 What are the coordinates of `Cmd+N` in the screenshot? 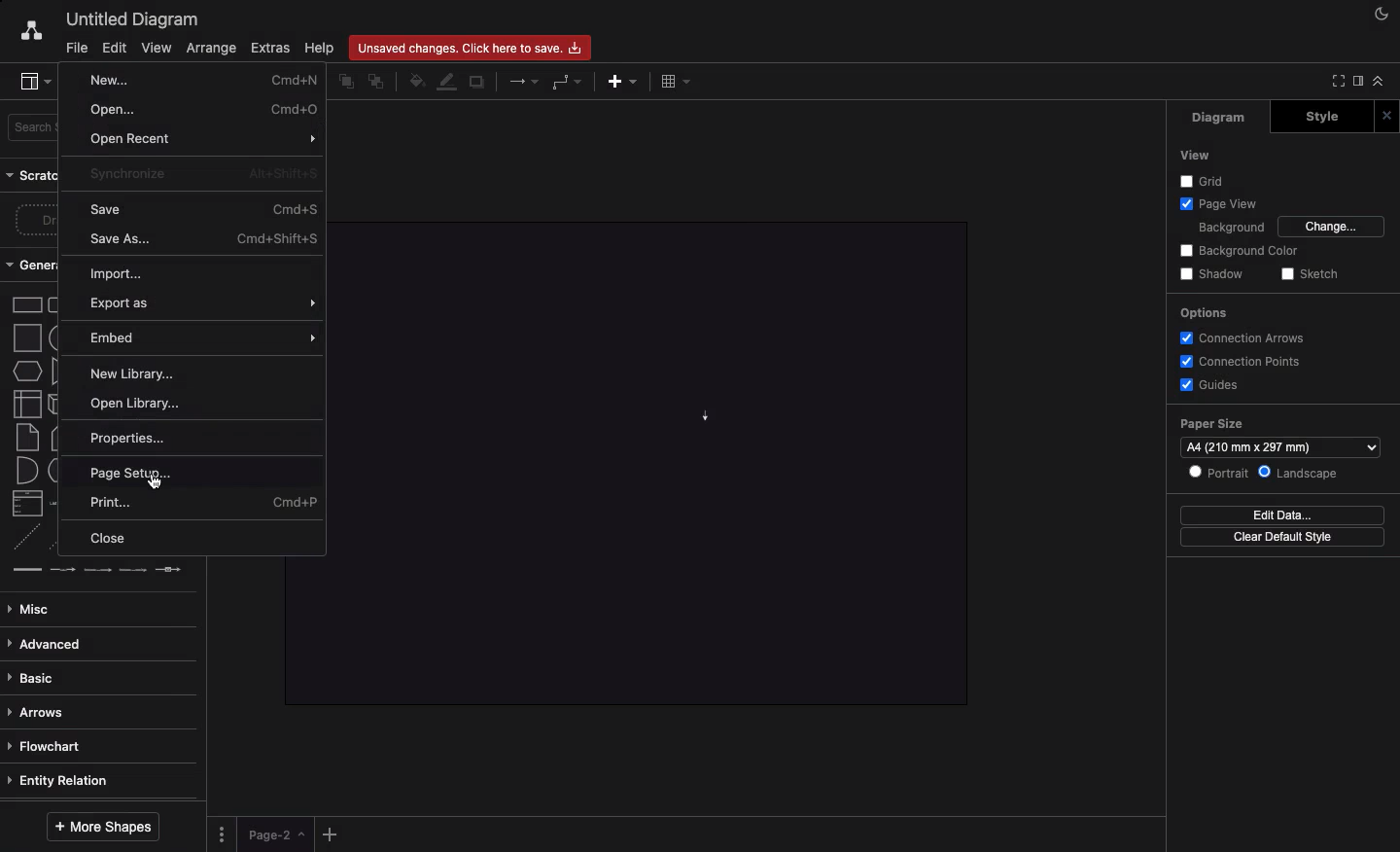 It's located at (293, 82).